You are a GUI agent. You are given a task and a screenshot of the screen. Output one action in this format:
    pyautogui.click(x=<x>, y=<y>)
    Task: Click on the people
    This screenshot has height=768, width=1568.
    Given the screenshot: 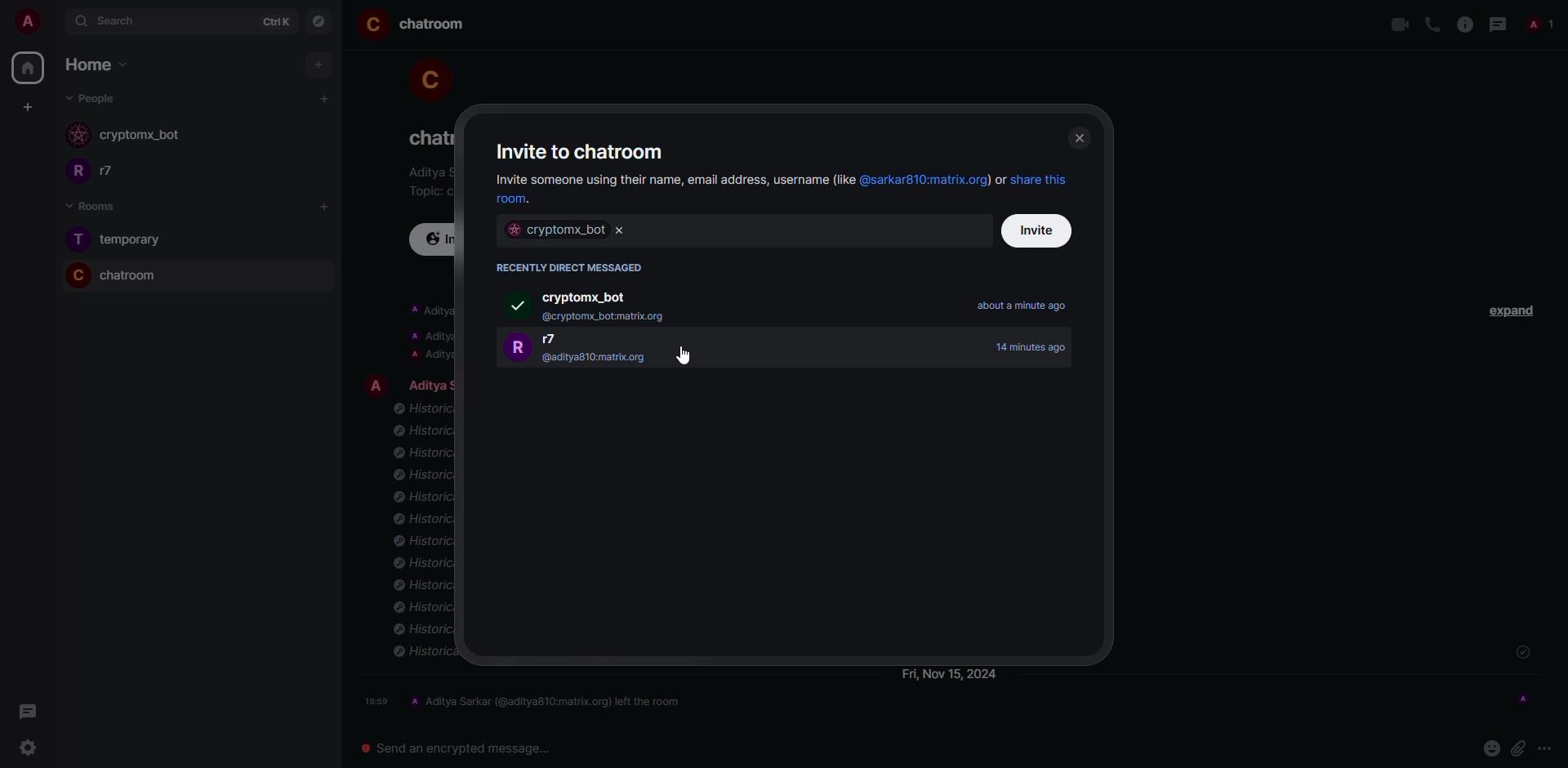 What is the action you would take?
    pyautogui.click(x=118, y=172)
    